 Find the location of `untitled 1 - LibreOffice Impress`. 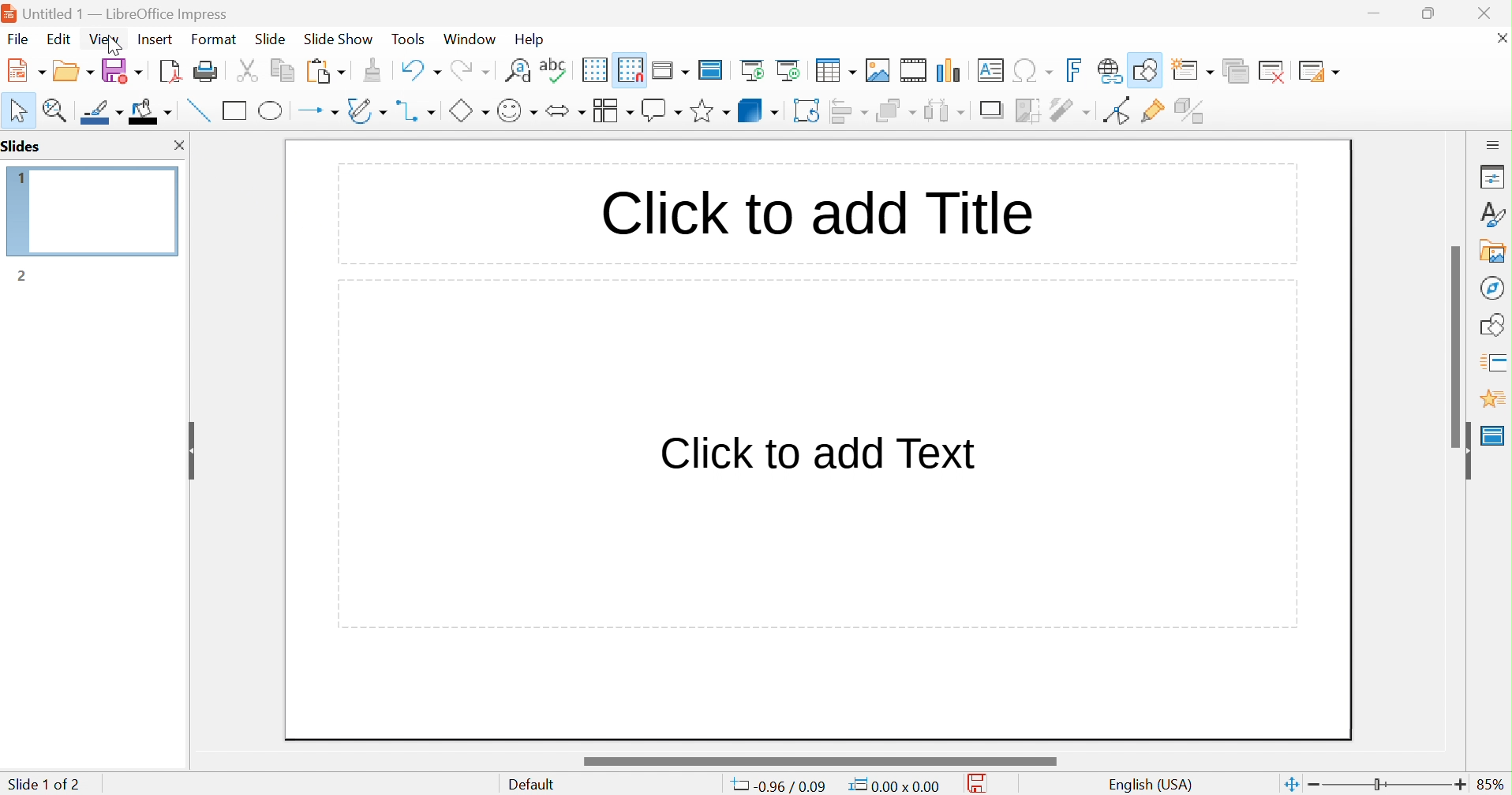

untitled 1 - LibreOffice Impress is located at coordinates (116, 12).